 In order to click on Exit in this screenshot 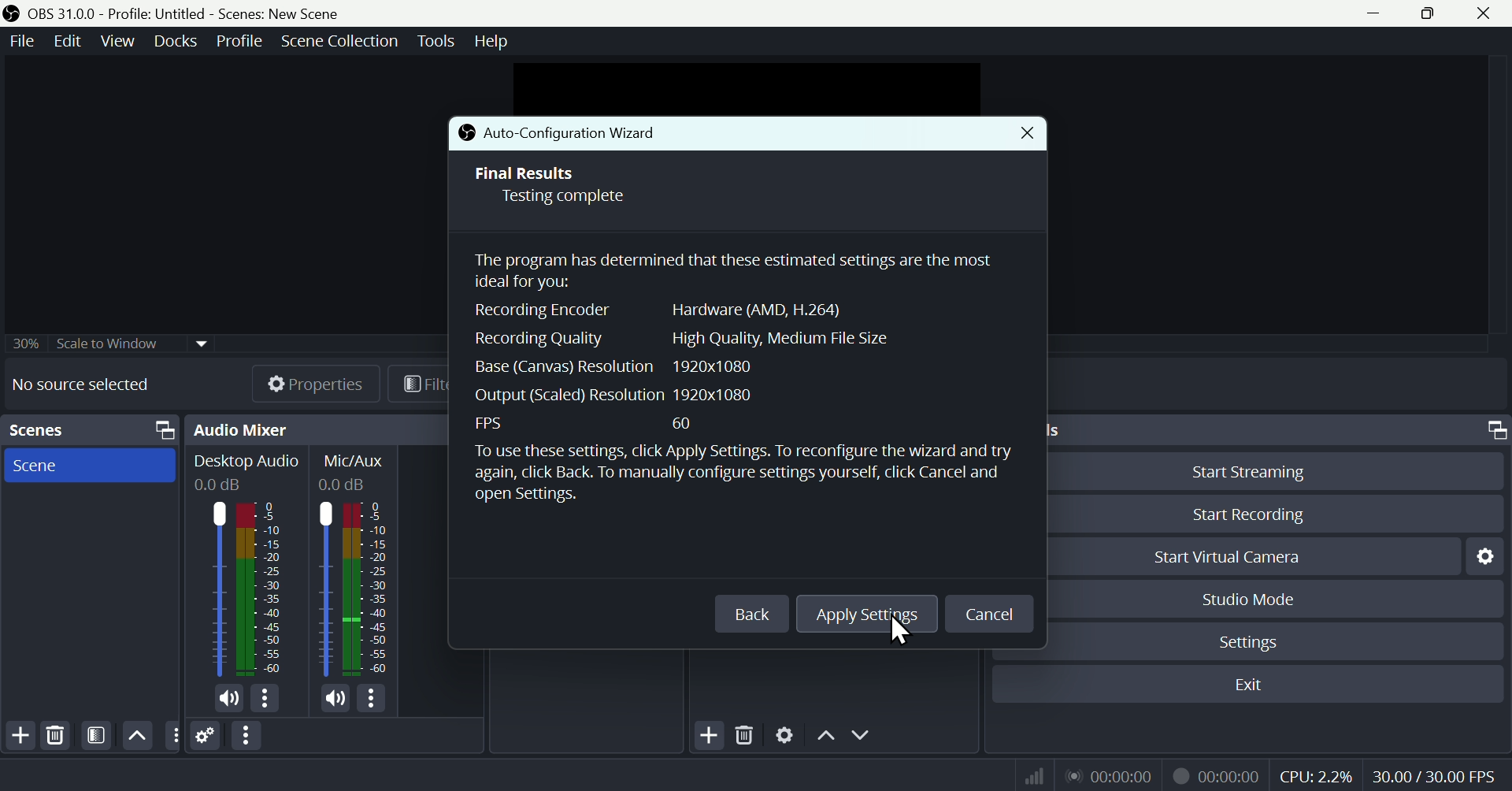, I will do `click(1247, 685)`.